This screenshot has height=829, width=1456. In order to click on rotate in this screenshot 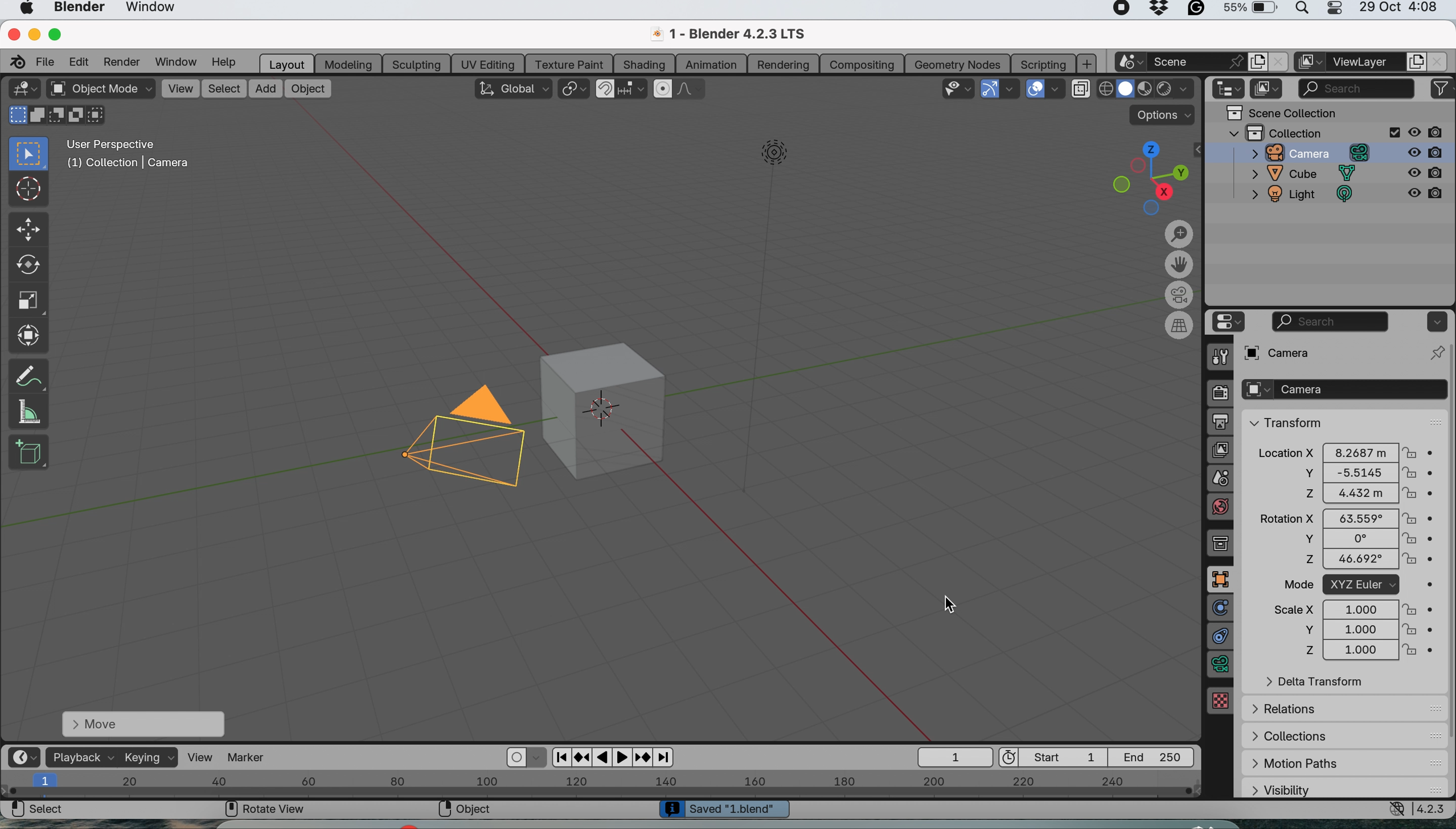, I will do `click(27, 265)`.